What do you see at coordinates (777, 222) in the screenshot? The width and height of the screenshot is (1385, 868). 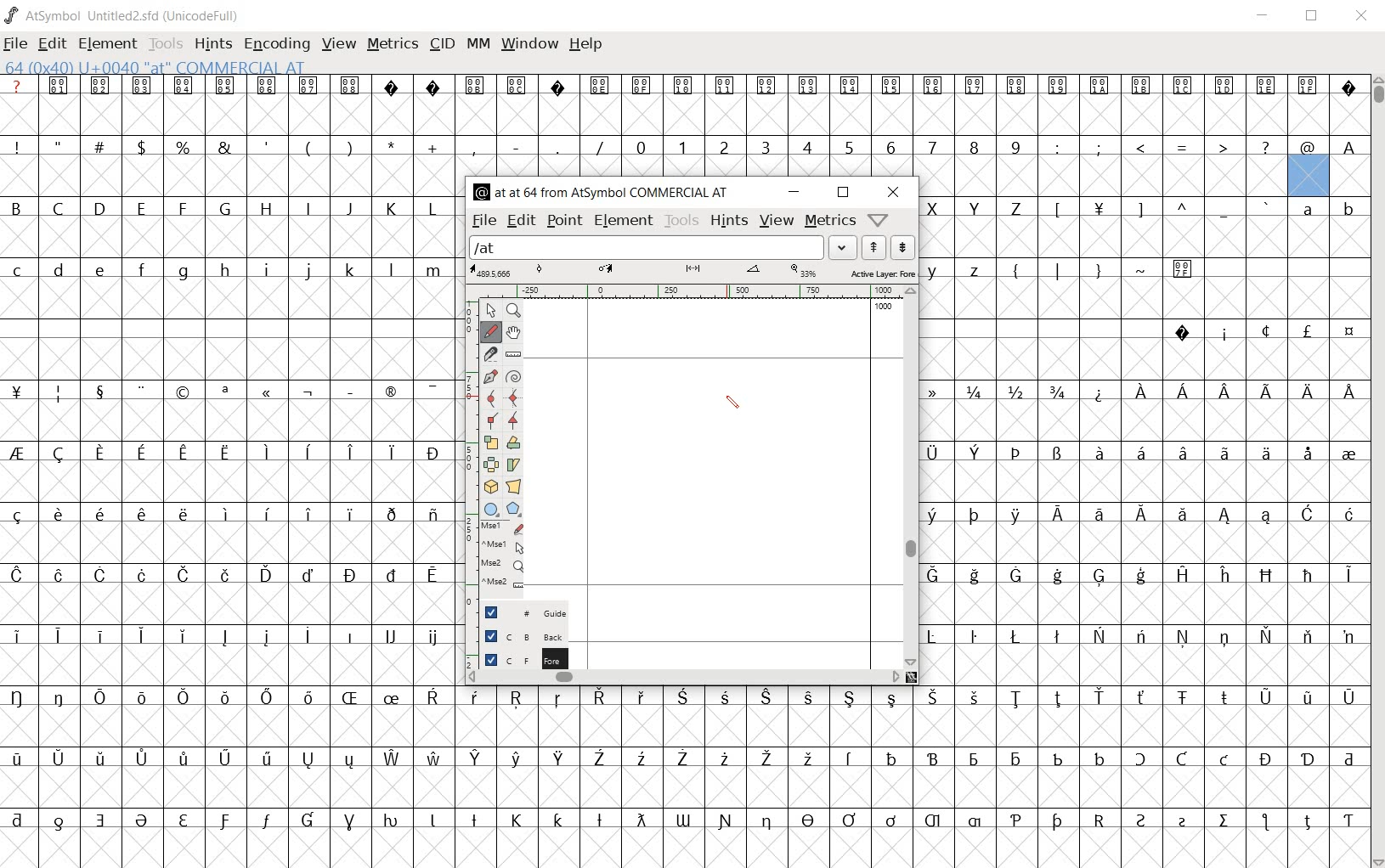 I see `view` at bounding box center [777, 222].